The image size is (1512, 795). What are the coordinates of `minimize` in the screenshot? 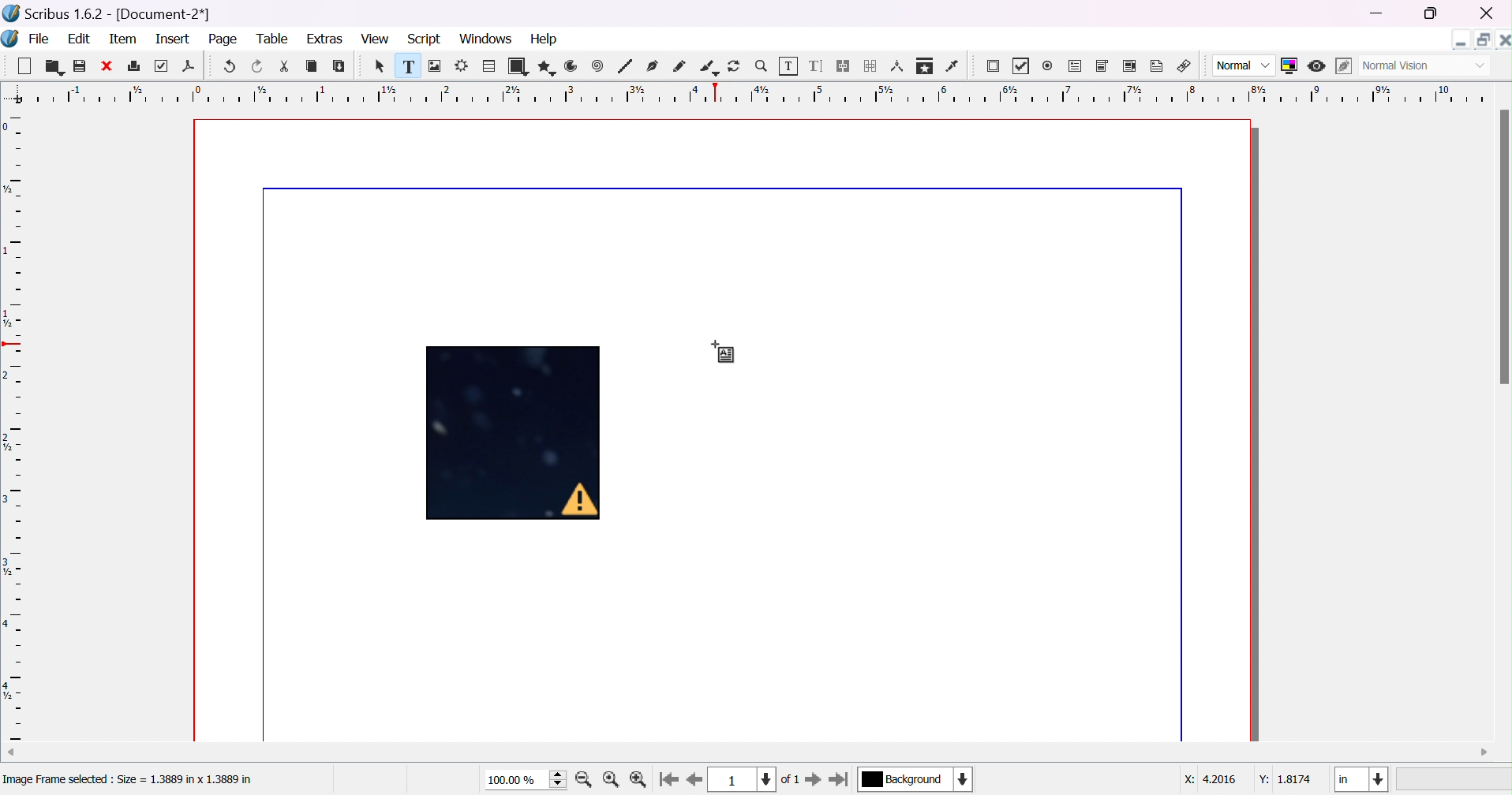 It's located at (1461, 39).